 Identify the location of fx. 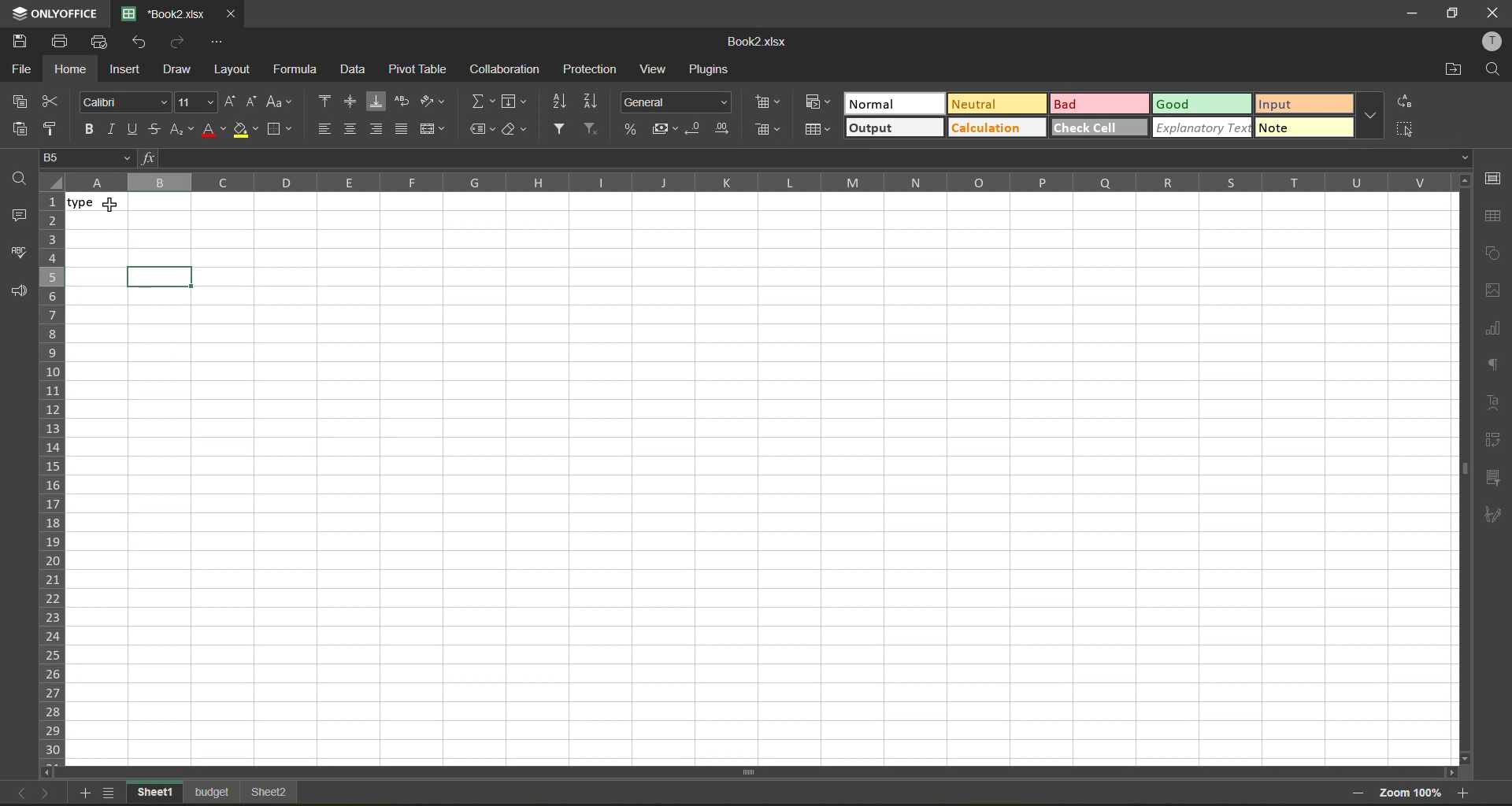
(151, 157).